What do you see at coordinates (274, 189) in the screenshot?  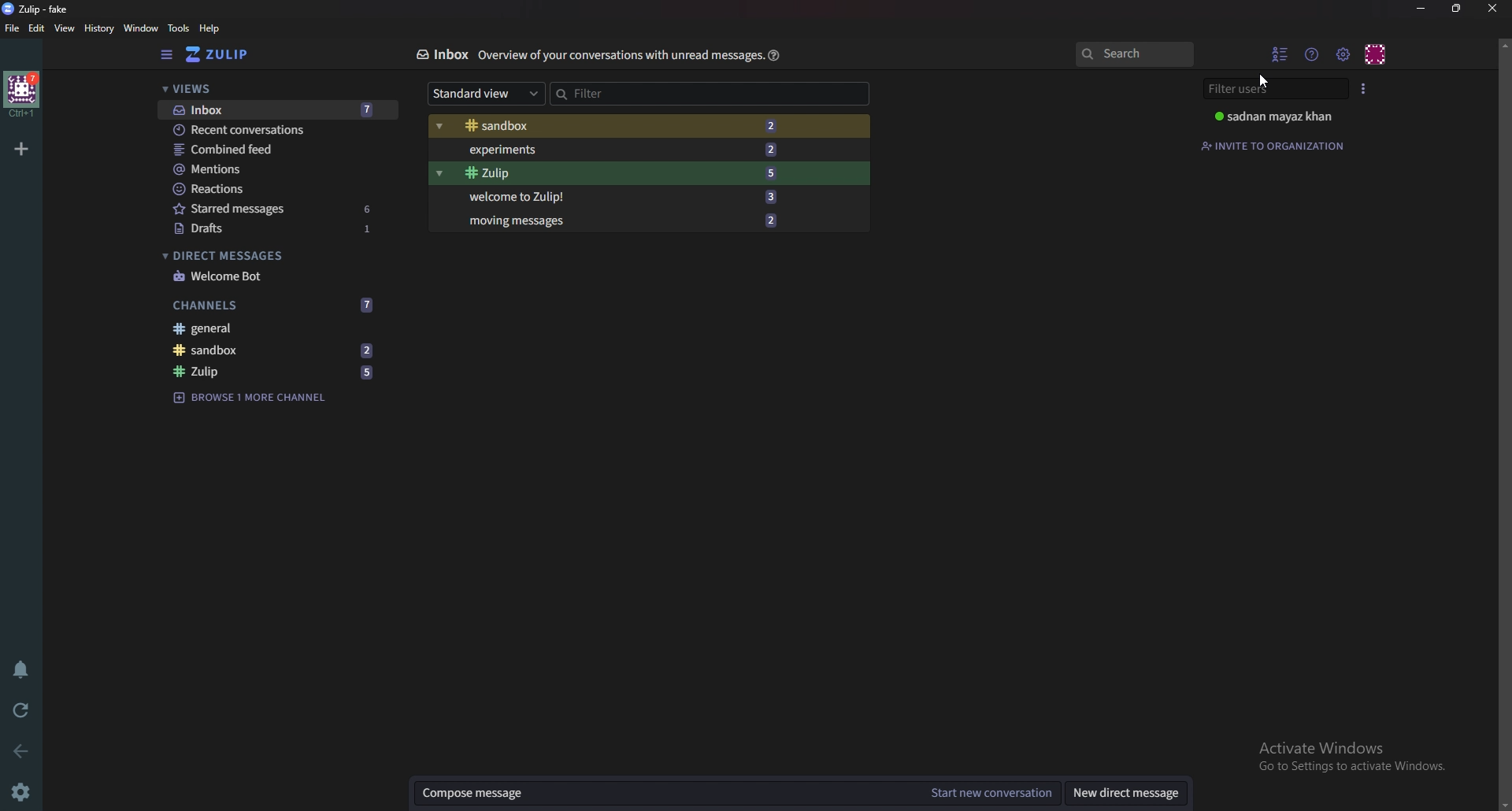 I see `Reactions` at bounding box center [274, 189].